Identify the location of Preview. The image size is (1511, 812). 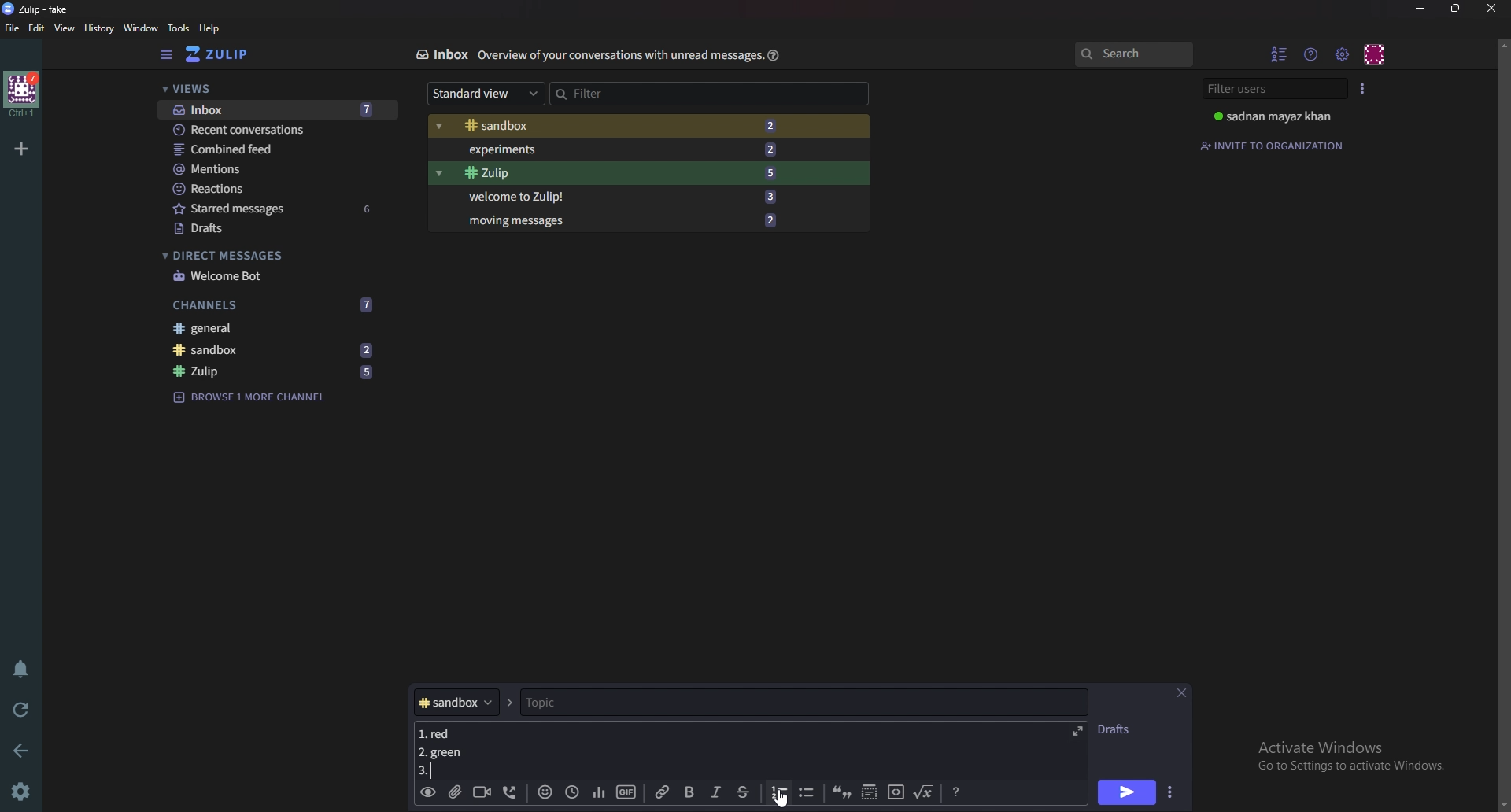
(428, 792).